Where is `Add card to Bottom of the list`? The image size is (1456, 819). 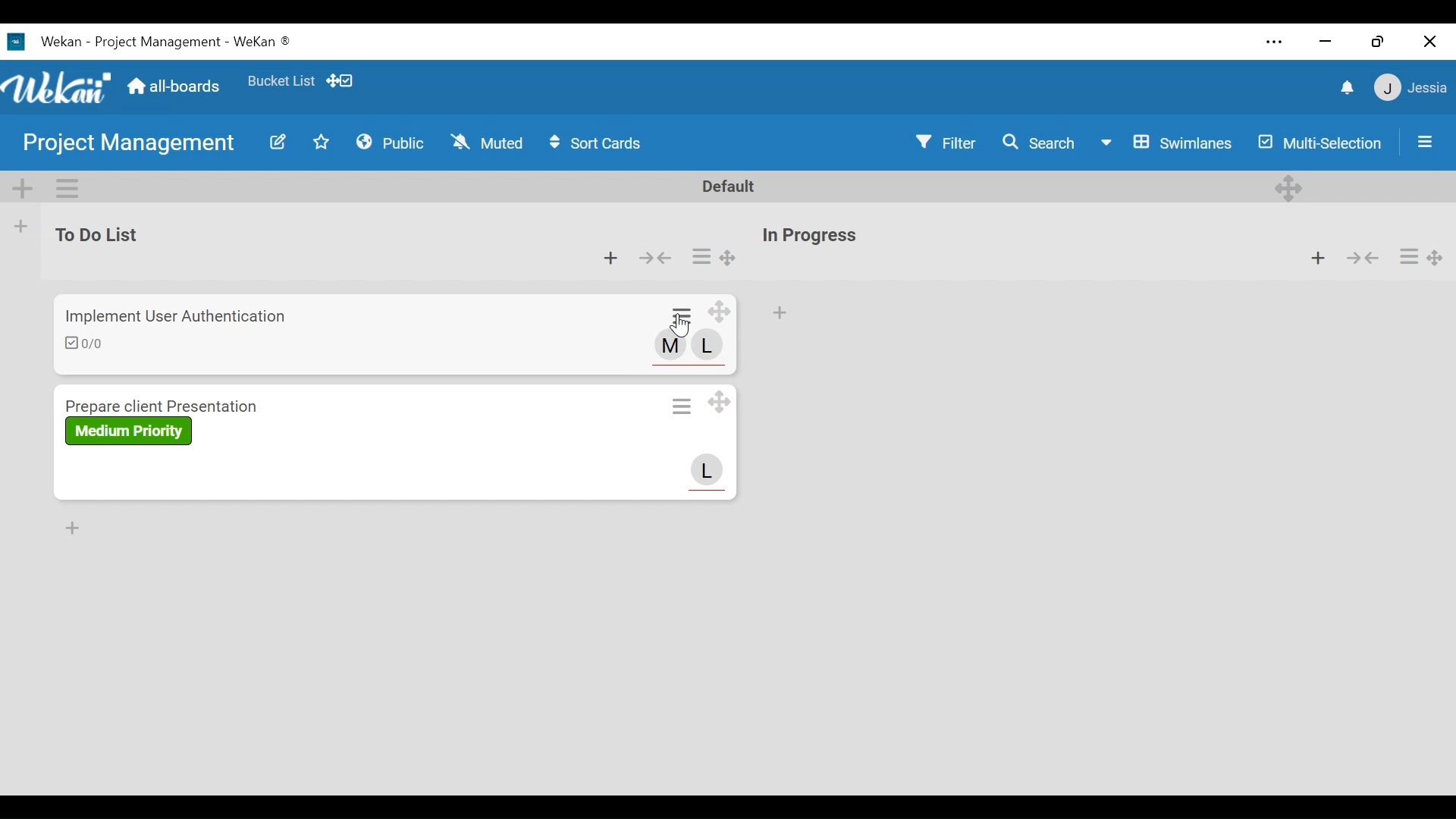 Add card to Bottom of the list is located at coordinates (71, 528).